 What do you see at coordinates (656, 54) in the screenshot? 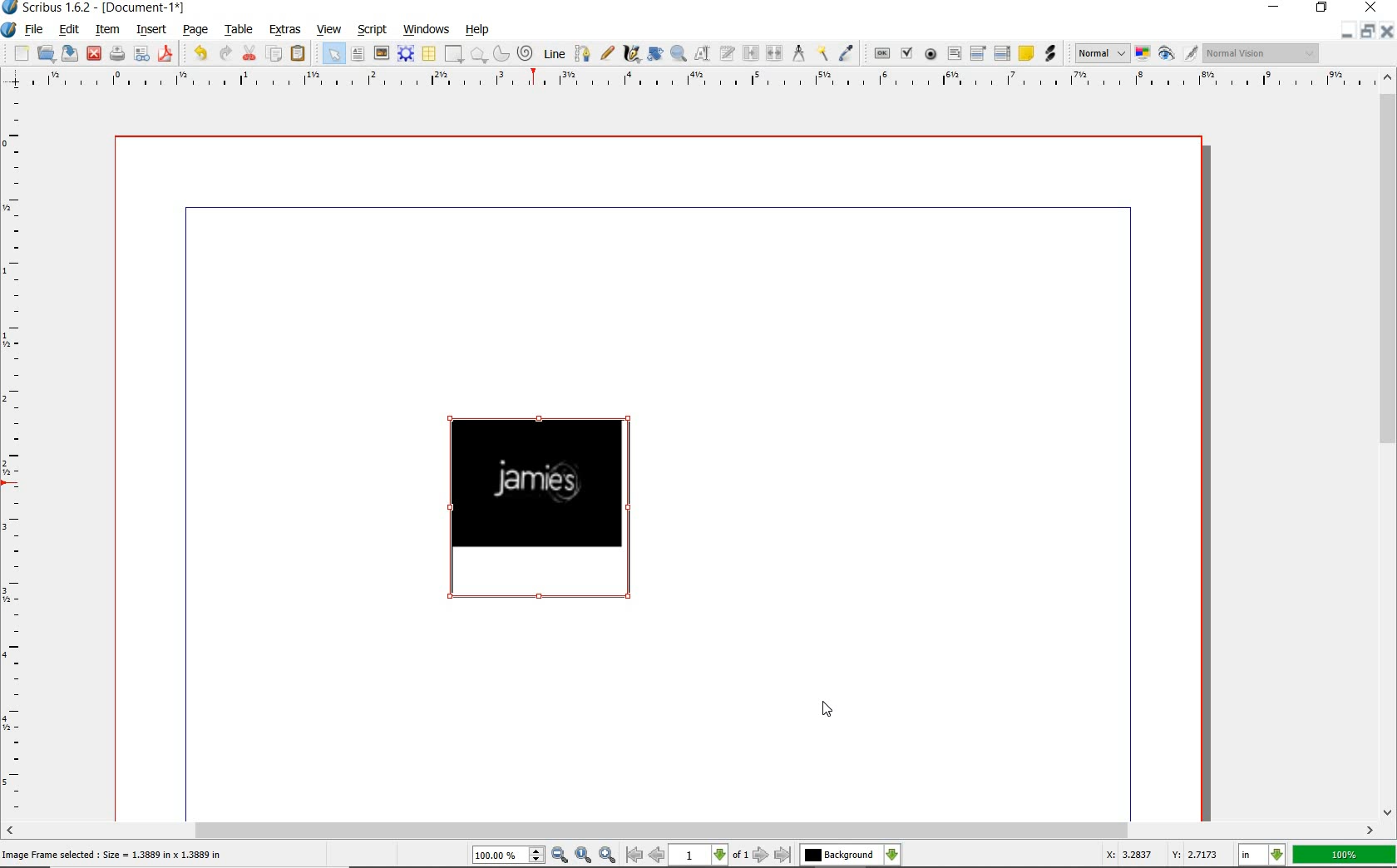
I see `rotate item` at bounding box center [656, 54].